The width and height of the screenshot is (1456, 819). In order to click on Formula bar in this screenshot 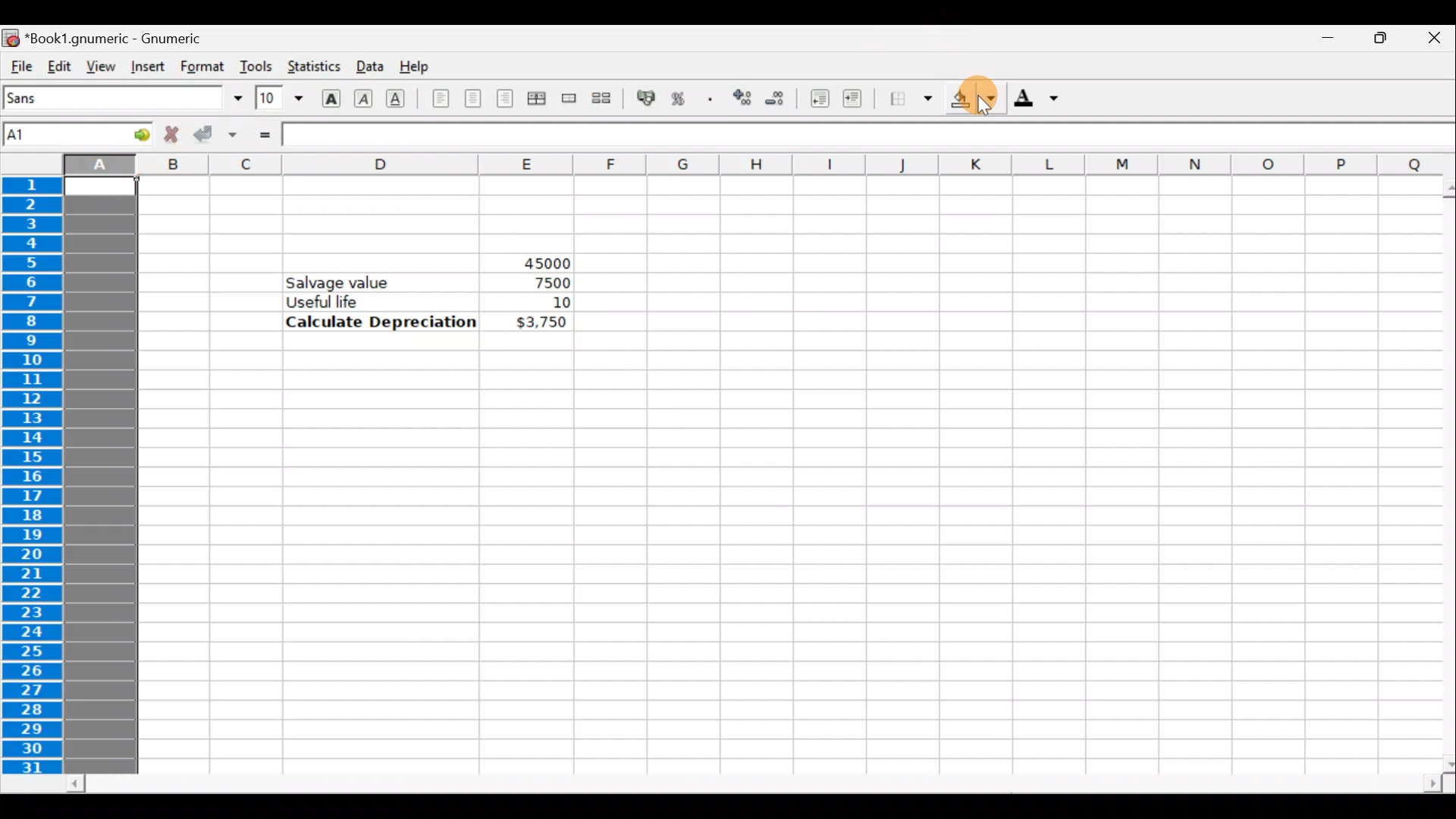, I will do `click(849, 134)`.